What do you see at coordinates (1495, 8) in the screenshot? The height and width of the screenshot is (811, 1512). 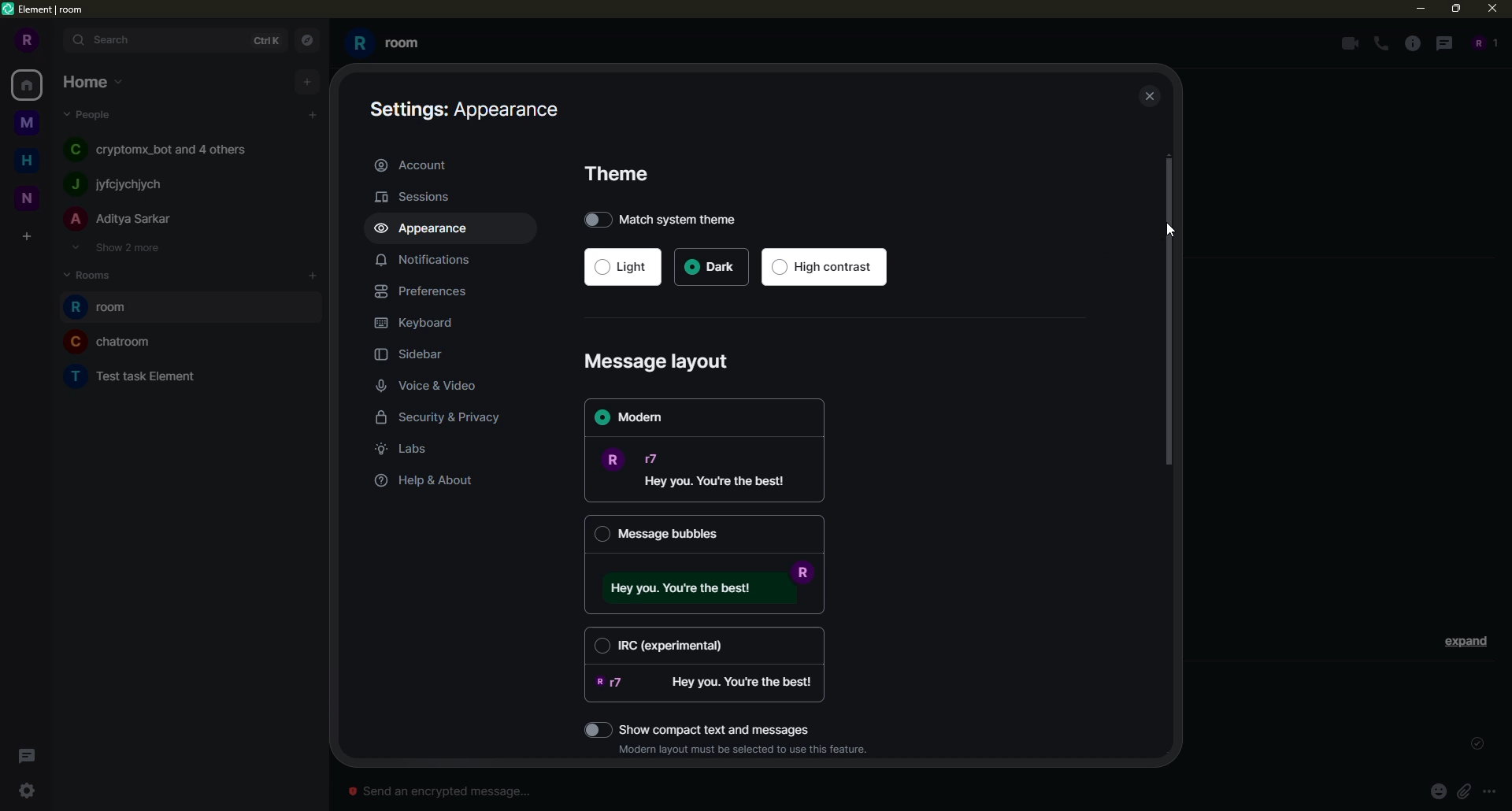 I see `close` at bounding box center [1495, 8].